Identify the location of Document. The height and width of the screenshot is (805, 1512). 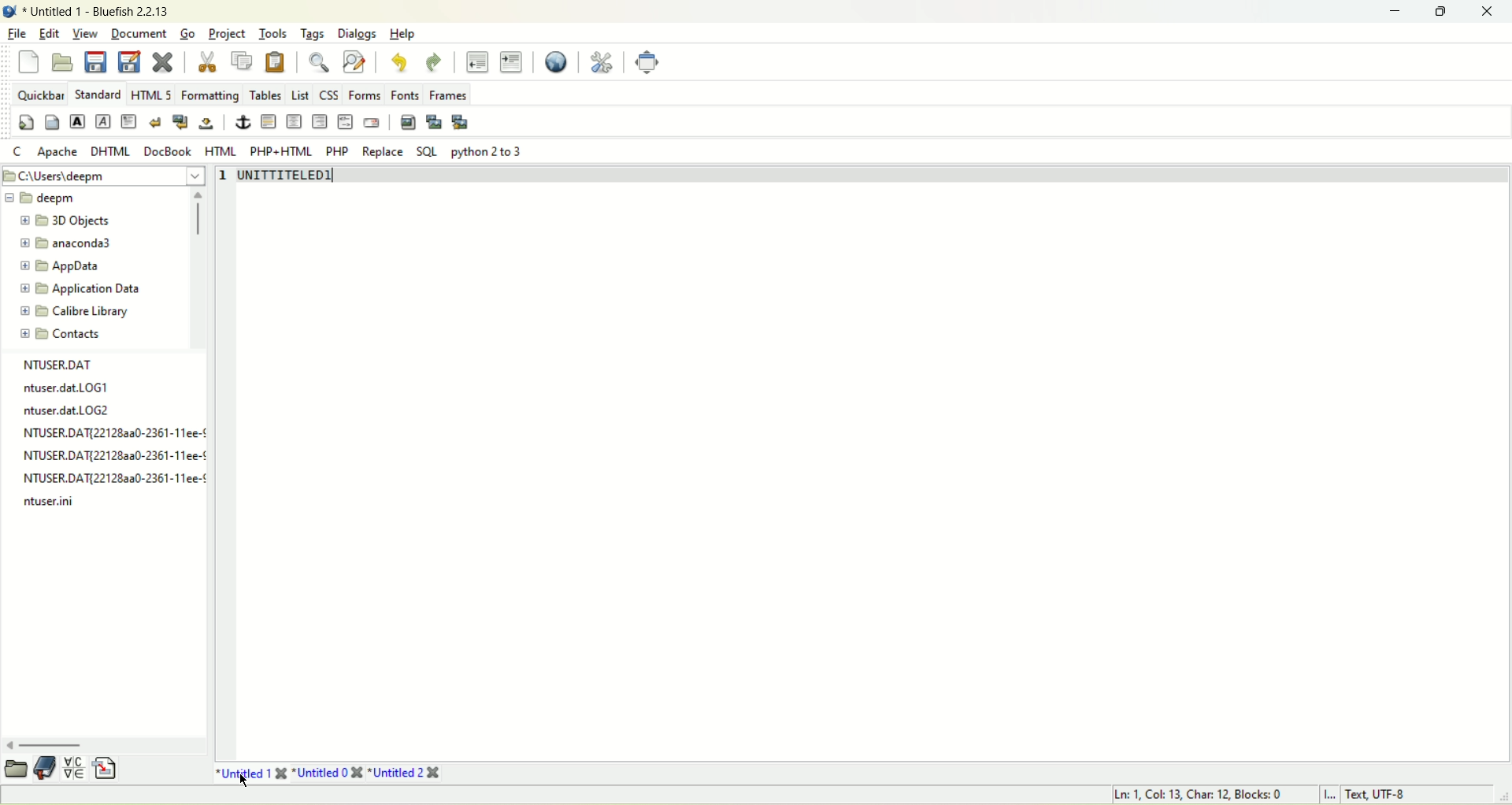
(138, 32).